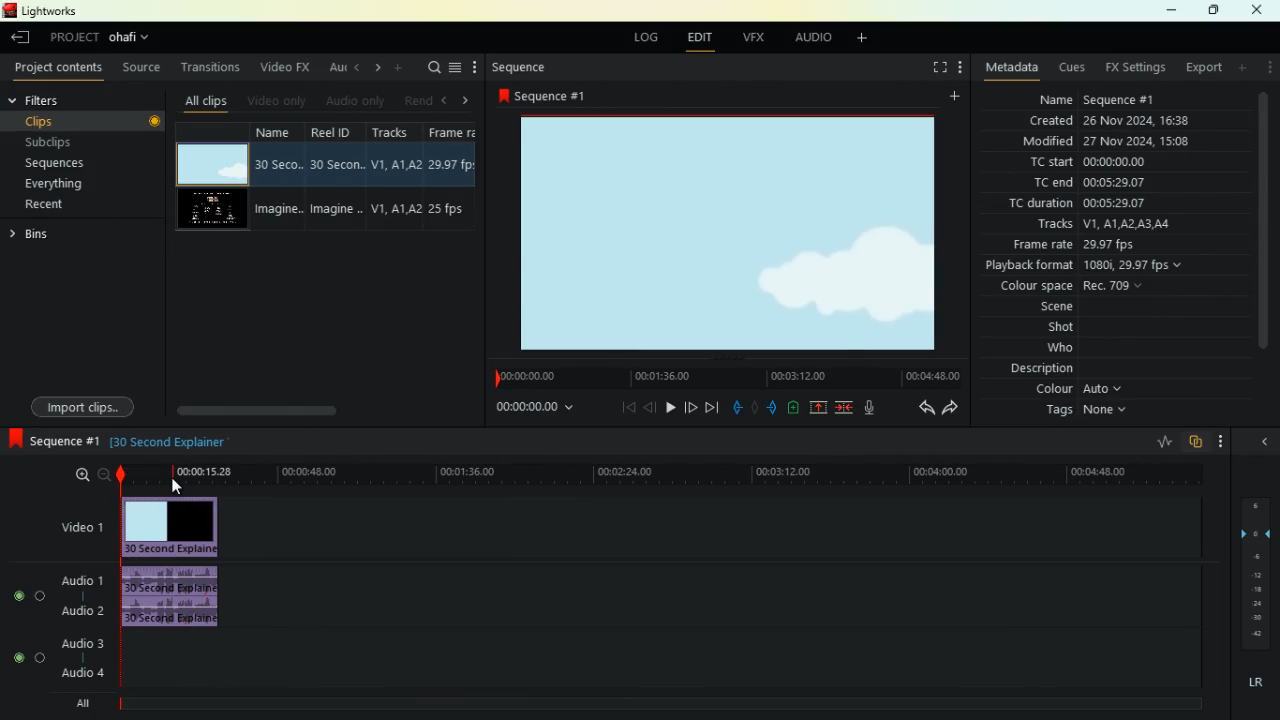  I want to click on merge, so click(846, 408).